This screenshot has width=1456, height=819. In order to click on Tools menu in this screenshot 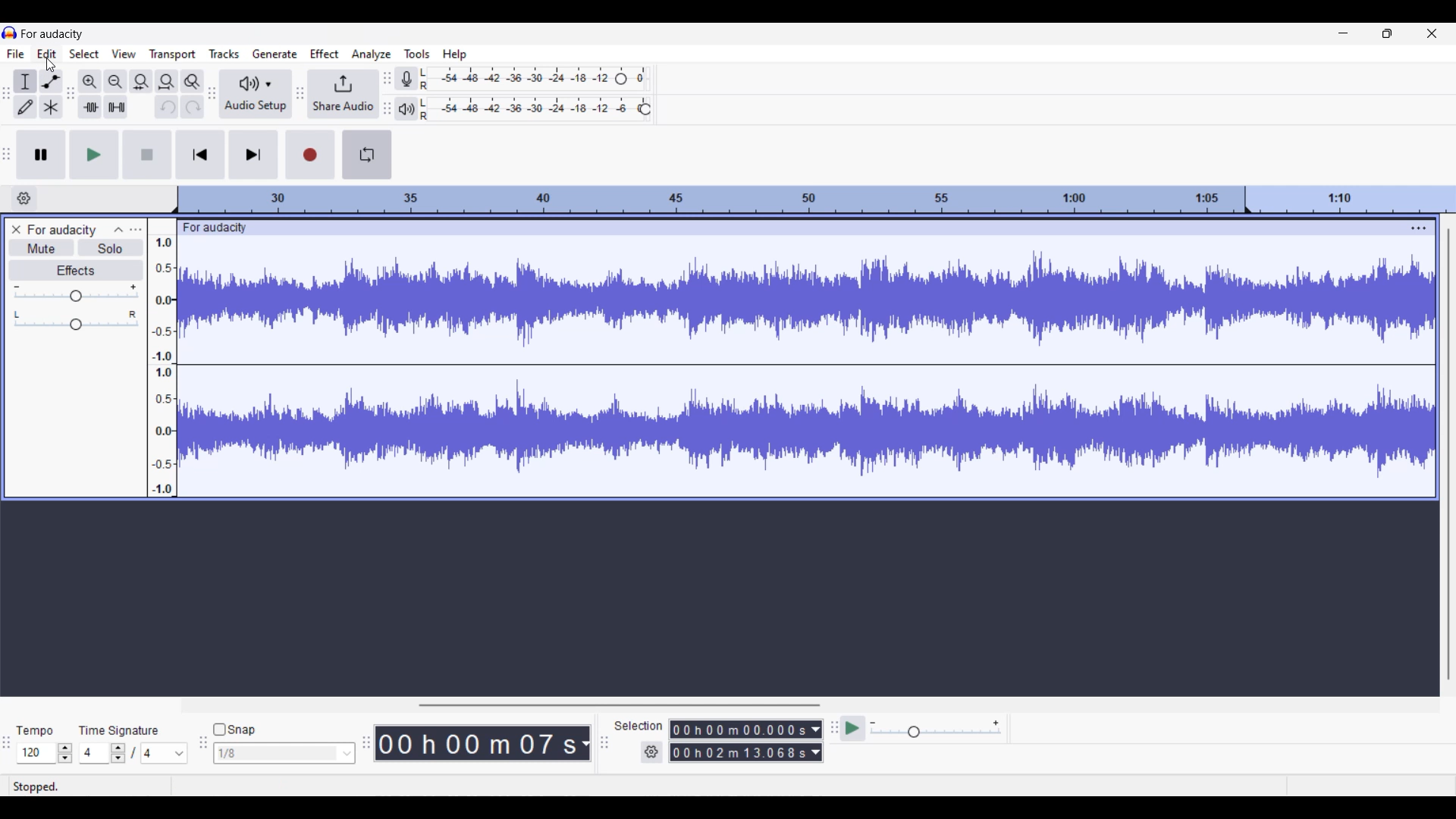, I will do `click(417, 53)`.